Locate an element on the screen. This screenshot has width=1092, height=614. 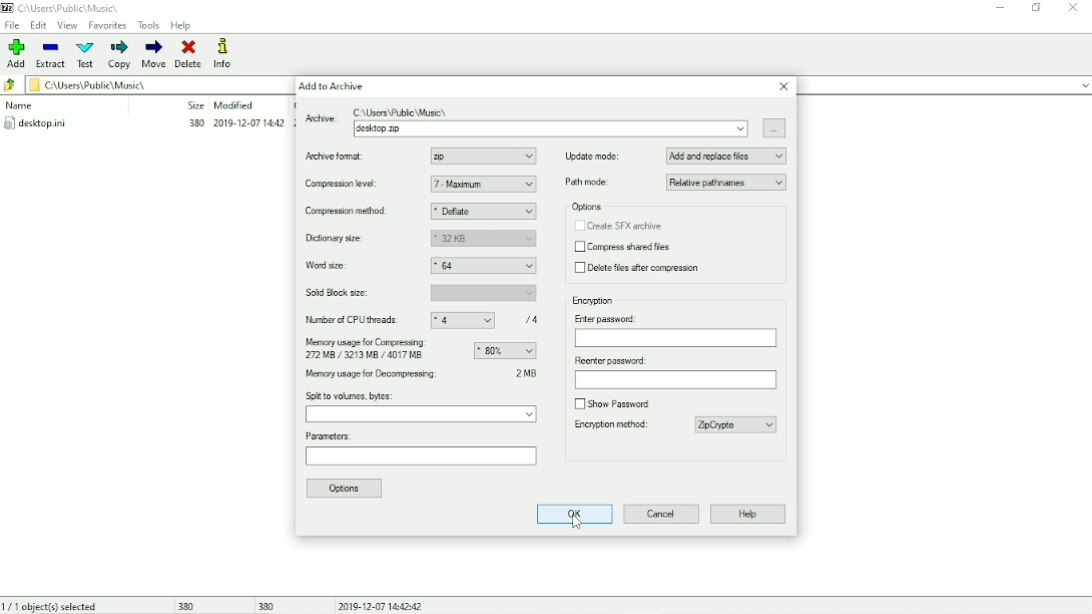
Compress shared files is located at coordinates (624, 248).